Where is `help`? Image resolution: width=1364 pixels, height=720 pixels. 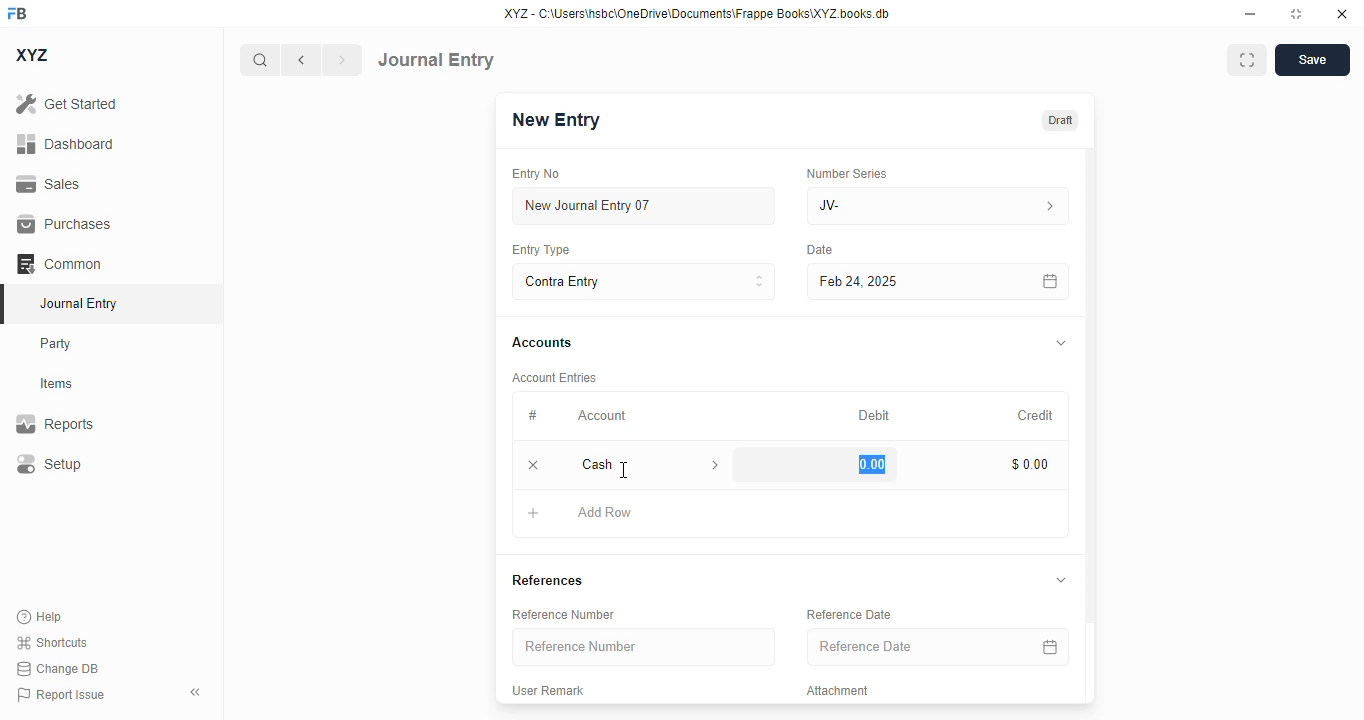 help is located at coordinates (40, 617).